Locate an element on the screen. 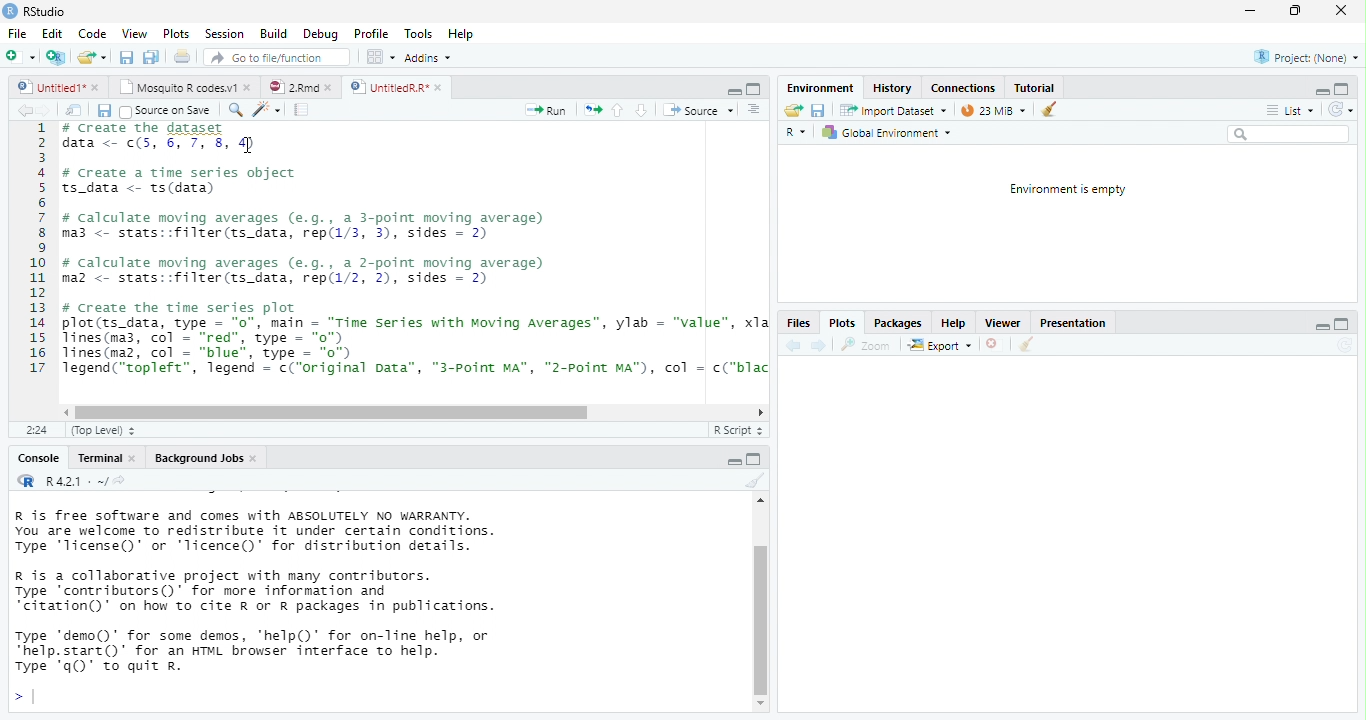  Import Dataset is located at coordinates (895, 110).